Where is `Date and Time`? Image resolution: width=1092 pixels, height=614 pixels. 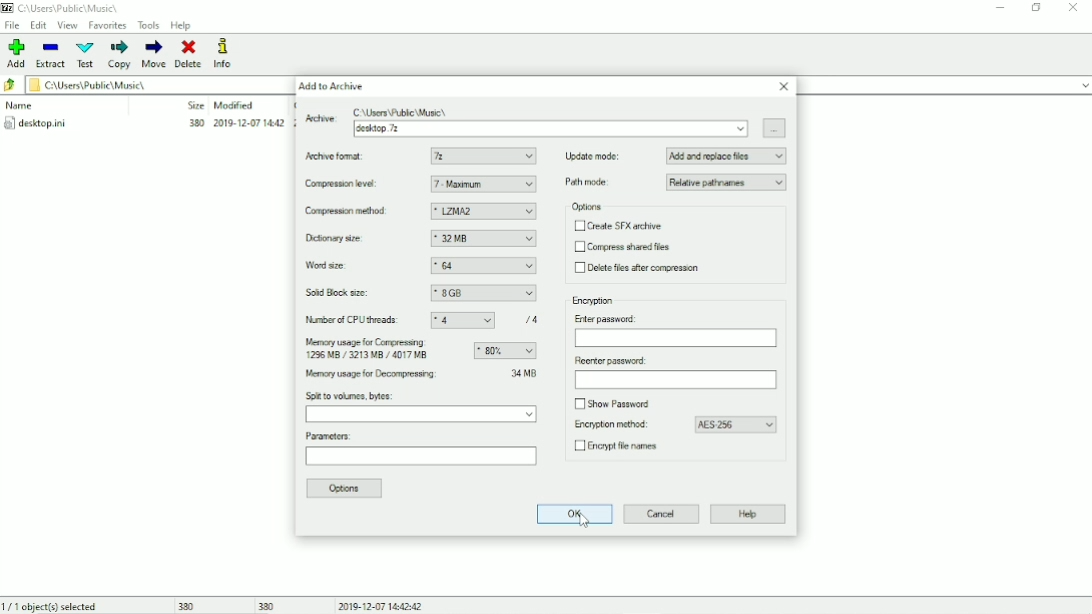 Date and Time is located at coordinates (382, 605).